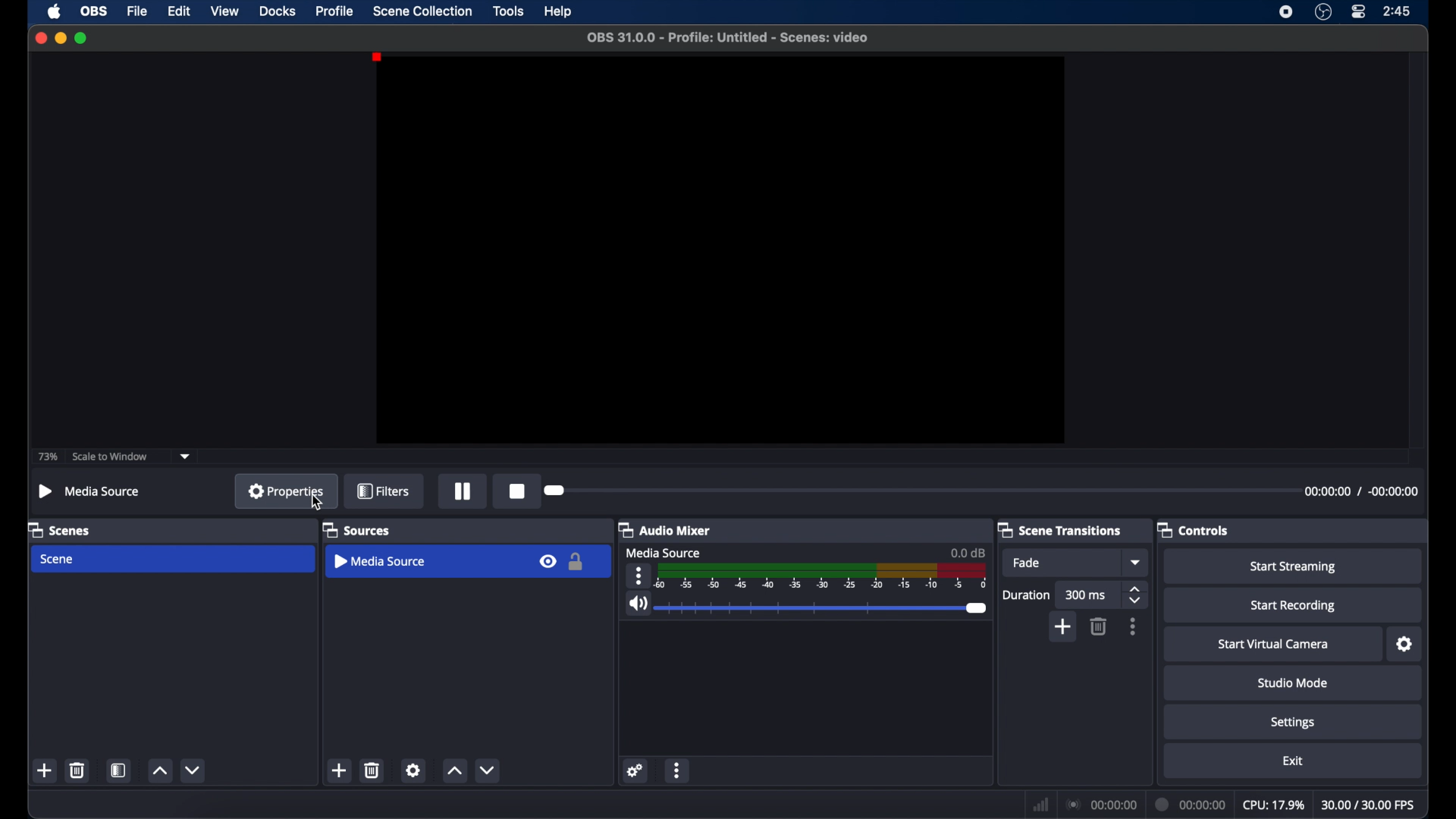 The image size is (1456, 819). I want to click on time, so click(1398, 11).